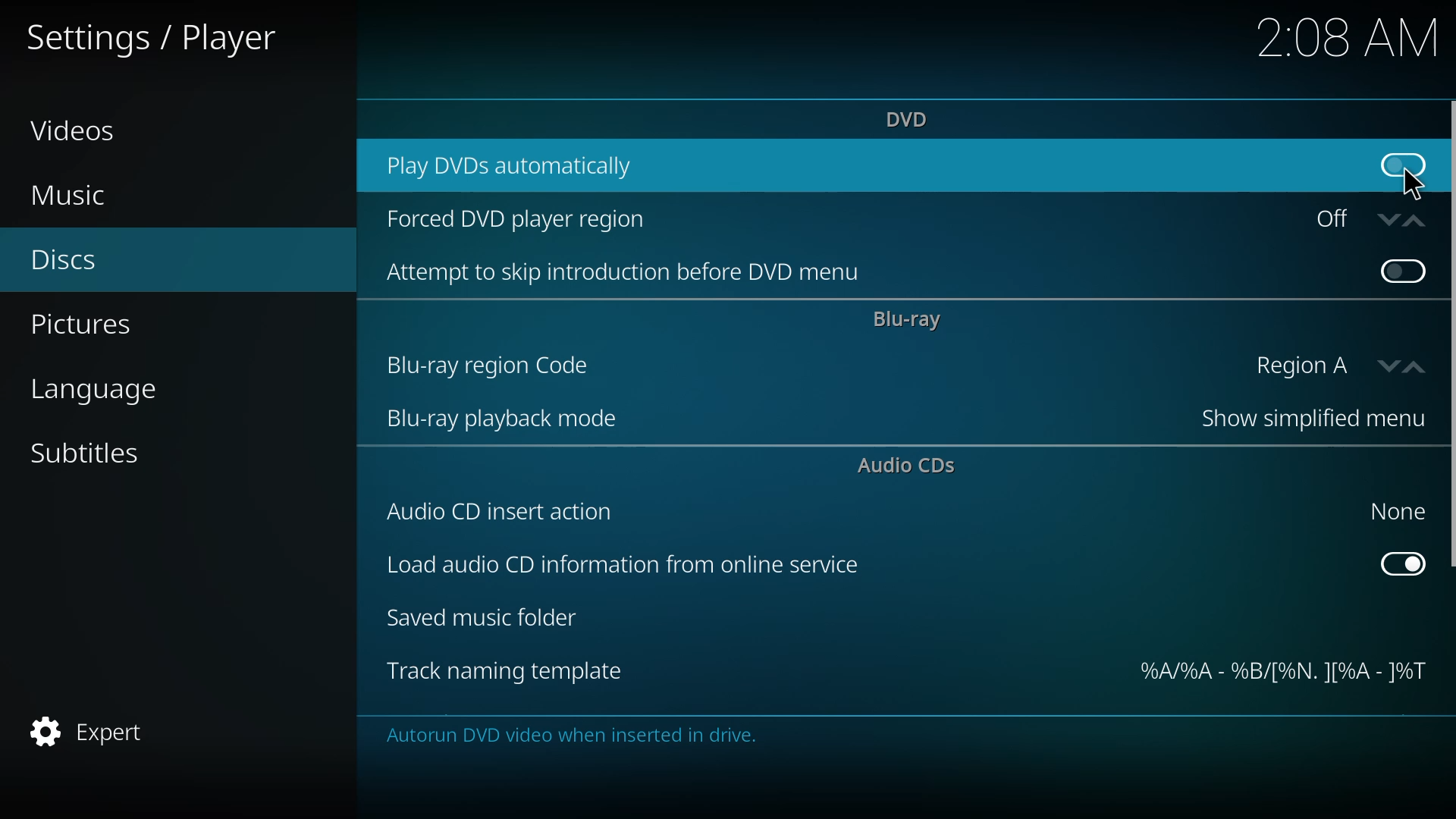 The width and height of the screenshot is (1456, 819). I want to click on videos, so click(74, 130).